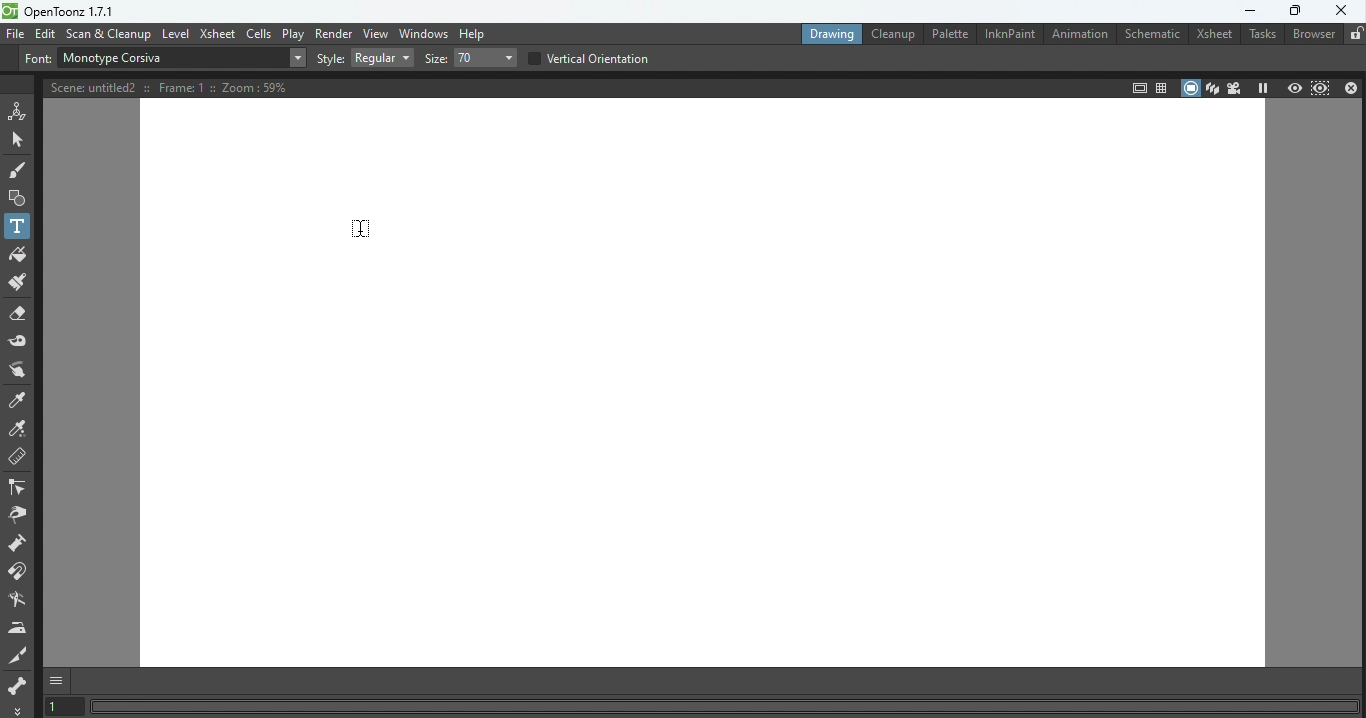 Image resolution: width=1366 pixels, height=718 pixels. I want to click on Paint Brush tool, so click(21, 283).